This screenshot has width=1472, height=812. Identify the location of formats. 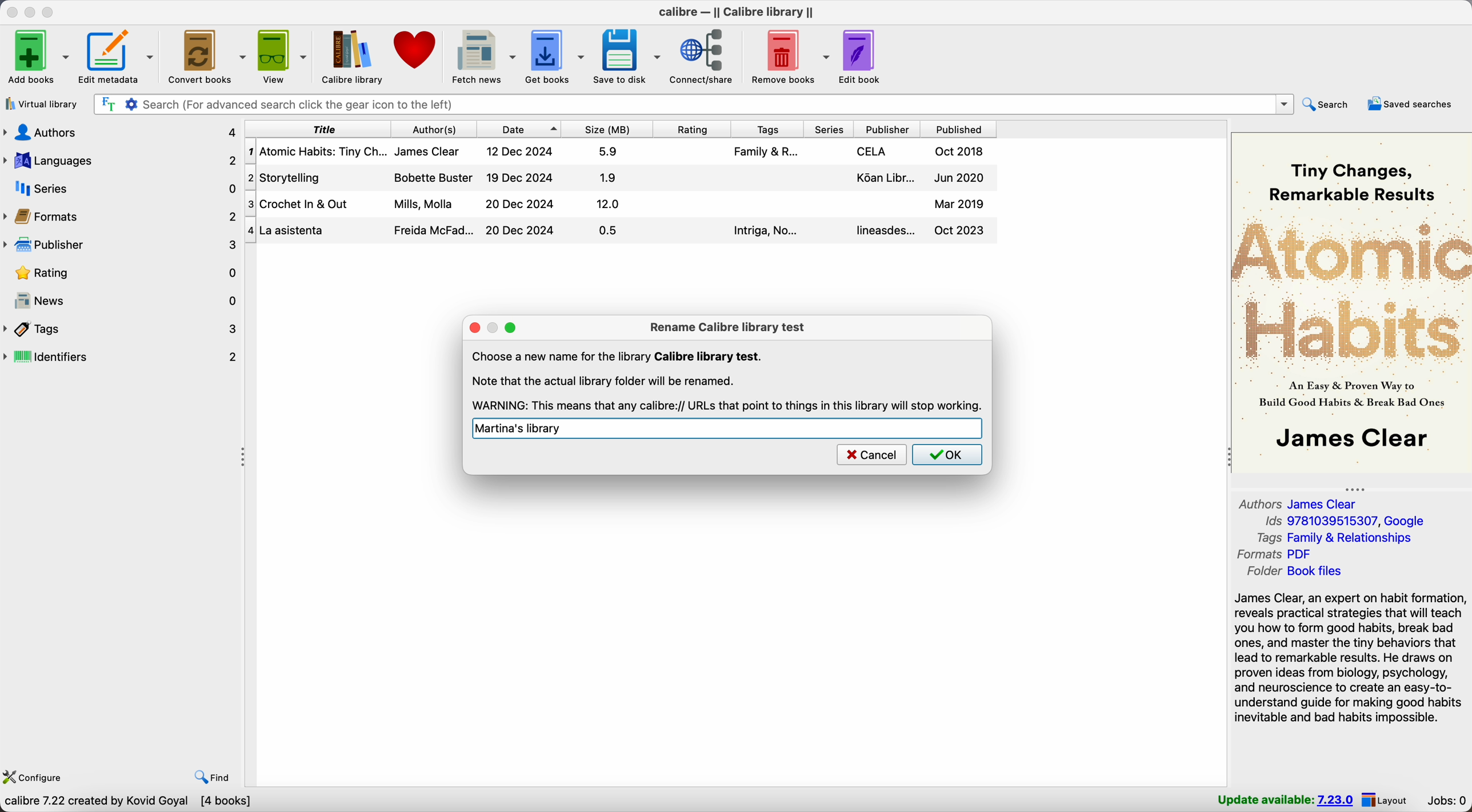
(122, 216).